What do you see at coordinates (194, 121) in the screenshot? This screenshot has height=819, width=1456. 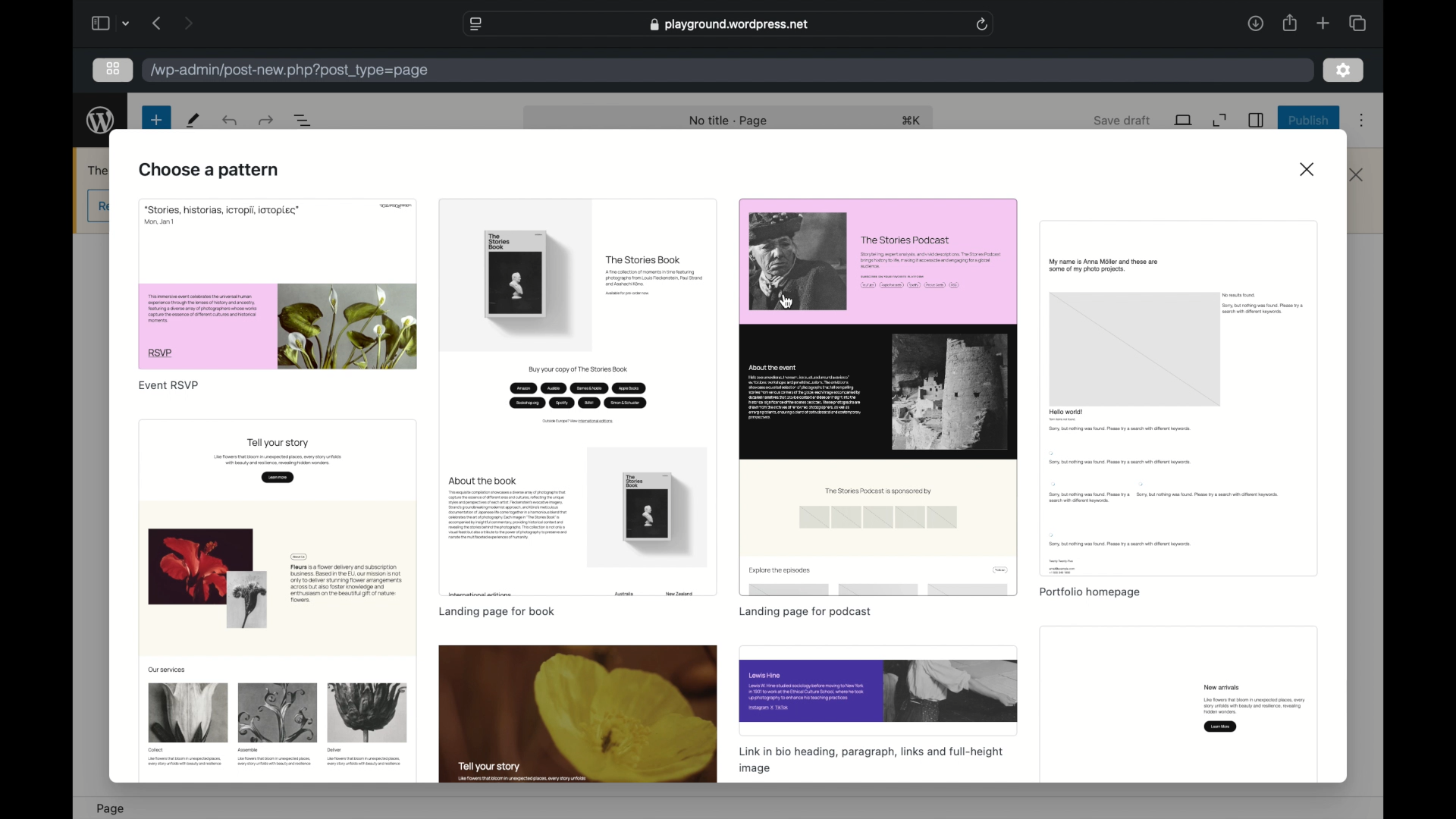 I see `new` at bounding box center [194, 121].